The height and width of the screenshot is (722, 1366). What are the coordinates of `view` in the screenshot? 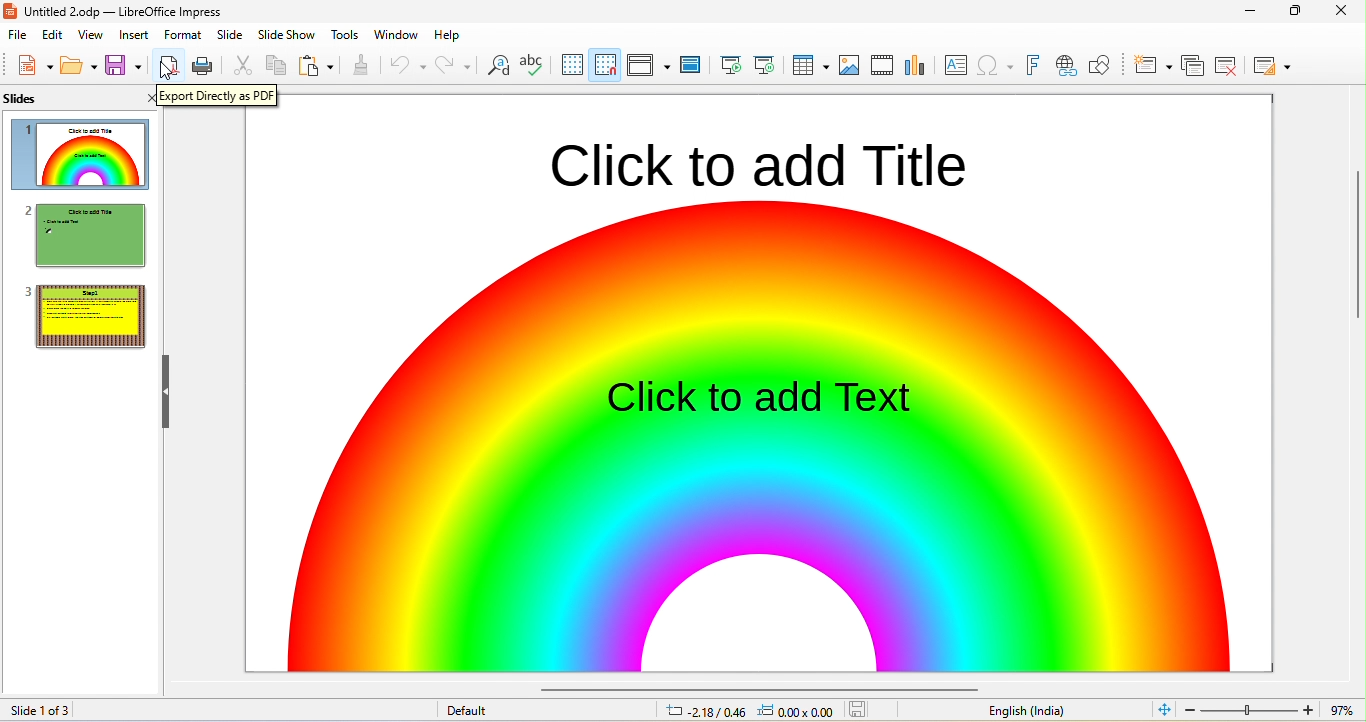 It's located at (92, 35).